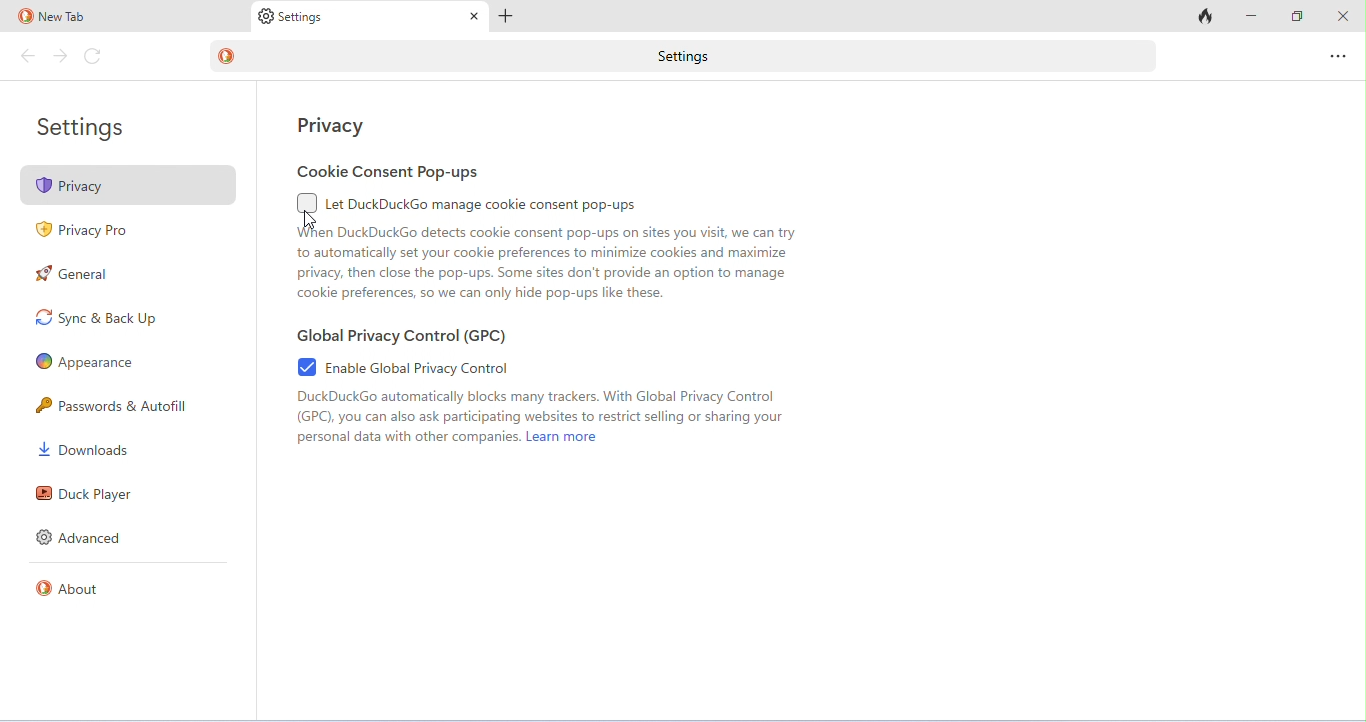 The width and height of the screenshot is (1366, 722). What do you see at coordinates (332, 125) in the screenshot?
I see `privacy` at bounding box center [332, 125].